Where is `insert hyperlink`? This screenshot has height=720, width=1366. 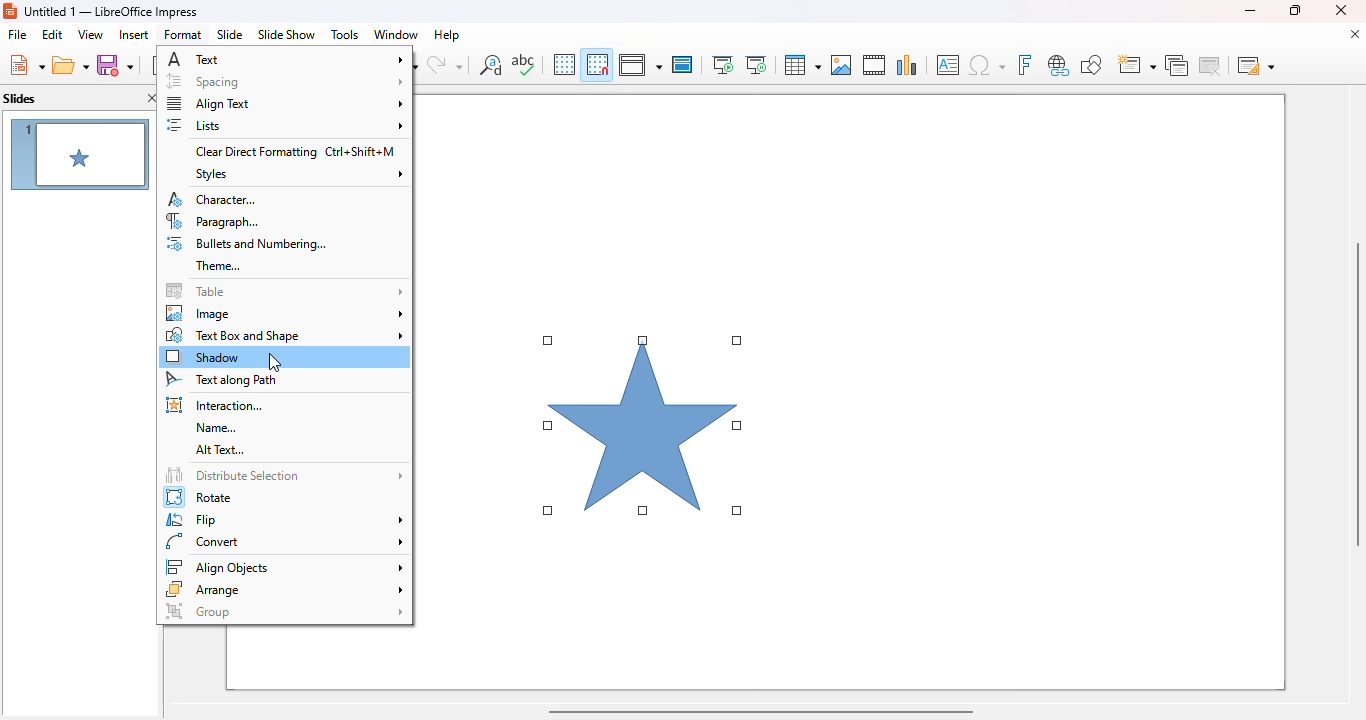 insert hyperlink is located at coordinates (1059, 65).